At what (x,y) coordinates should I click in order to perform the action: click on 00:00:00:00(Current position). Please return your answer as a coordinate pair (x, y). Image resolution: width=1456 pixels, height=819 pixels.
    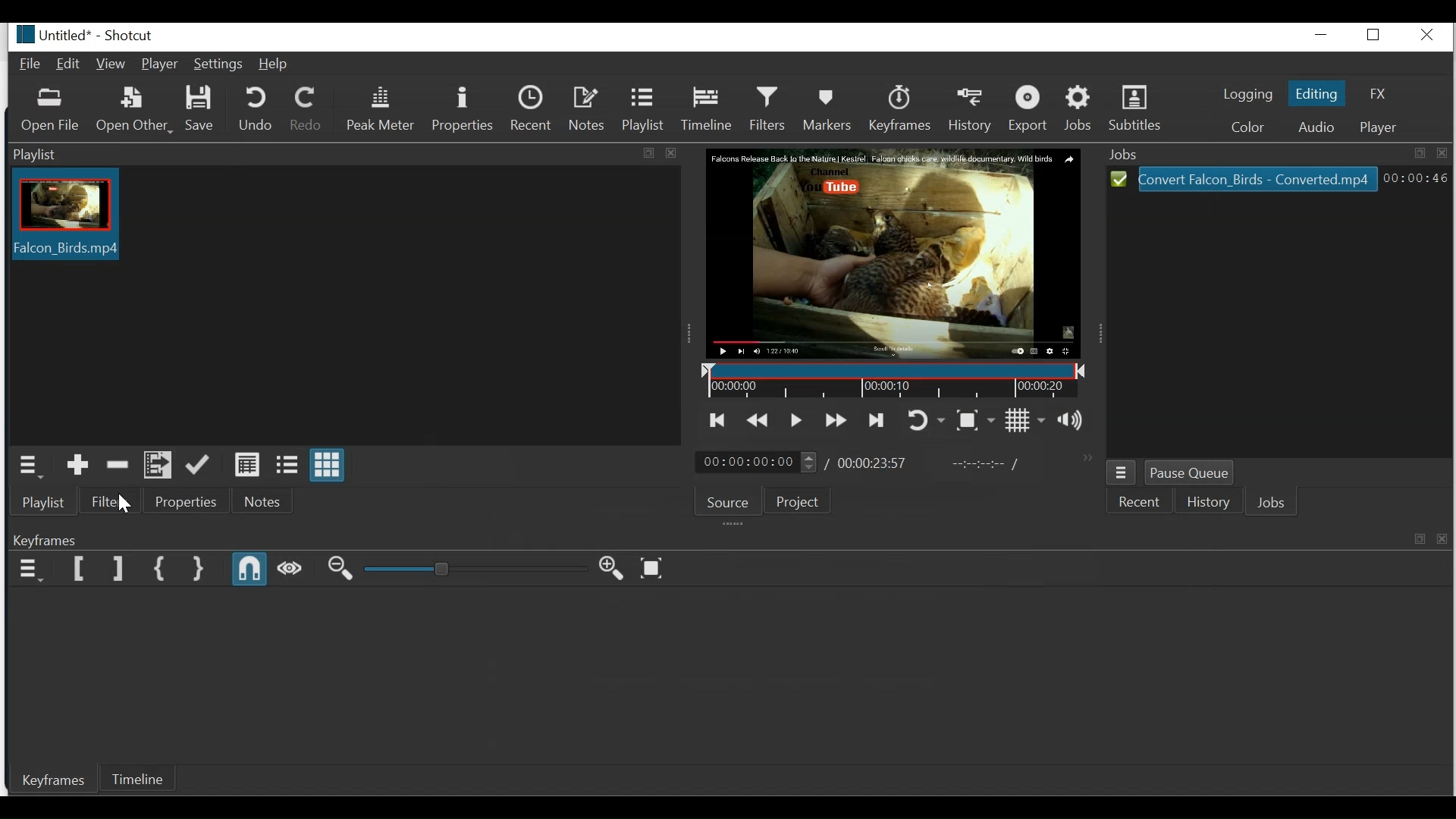
    Looking at the image, I should click on (754, 463).